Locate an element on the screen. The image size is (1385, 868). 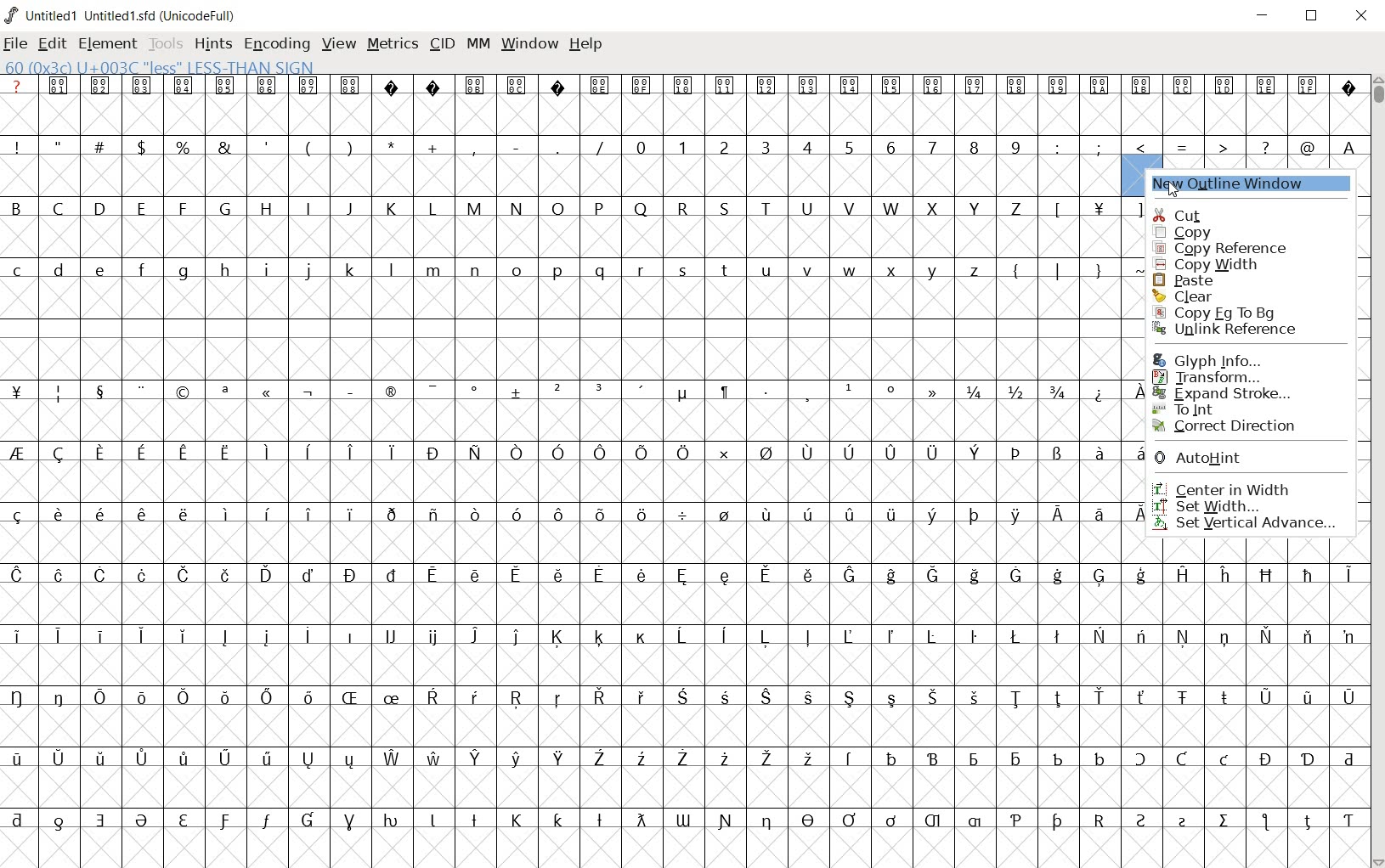
window is located at coordinates (529, 45).